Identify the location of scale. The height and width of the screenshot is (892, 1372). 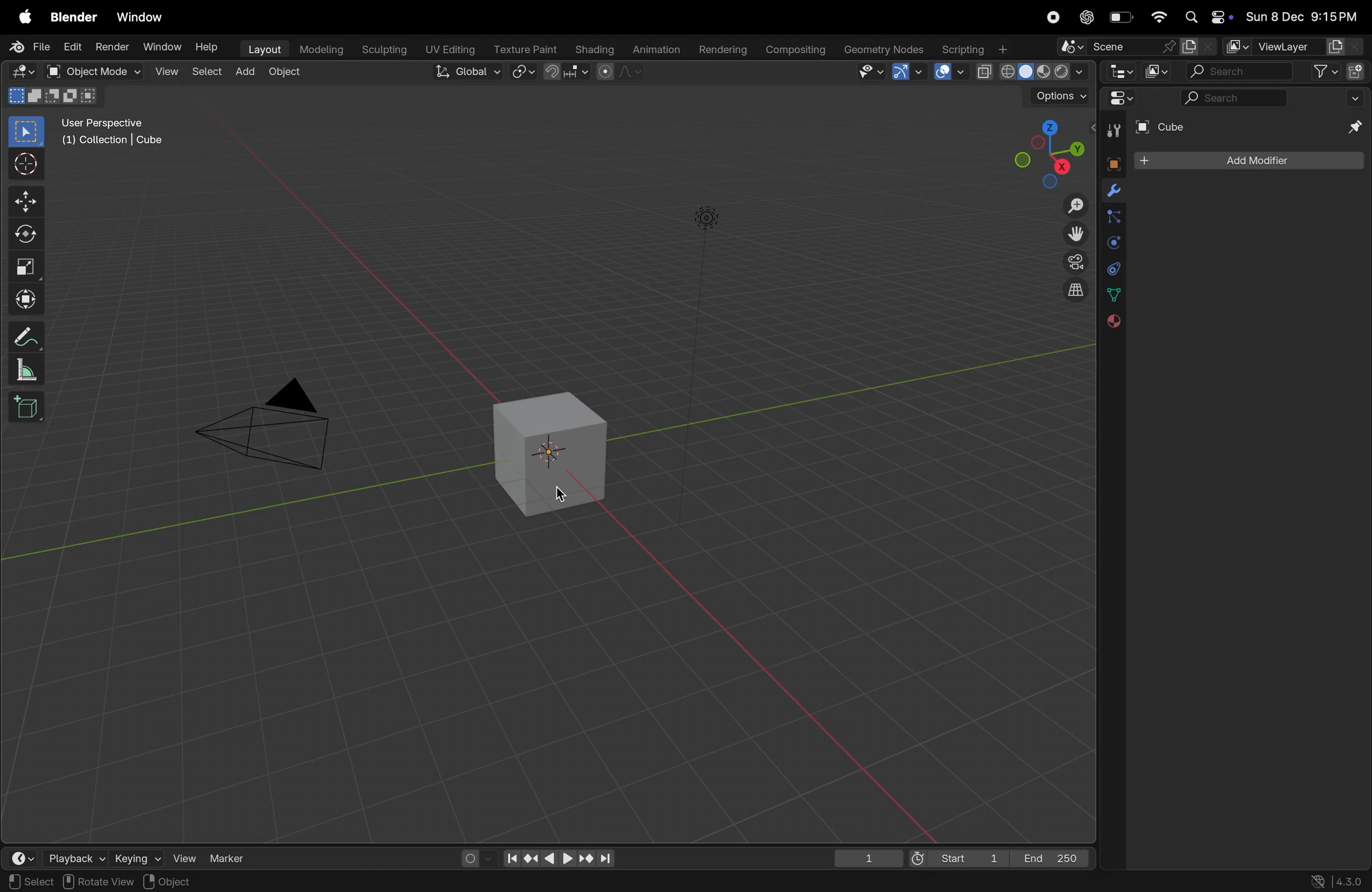
(26, 267).